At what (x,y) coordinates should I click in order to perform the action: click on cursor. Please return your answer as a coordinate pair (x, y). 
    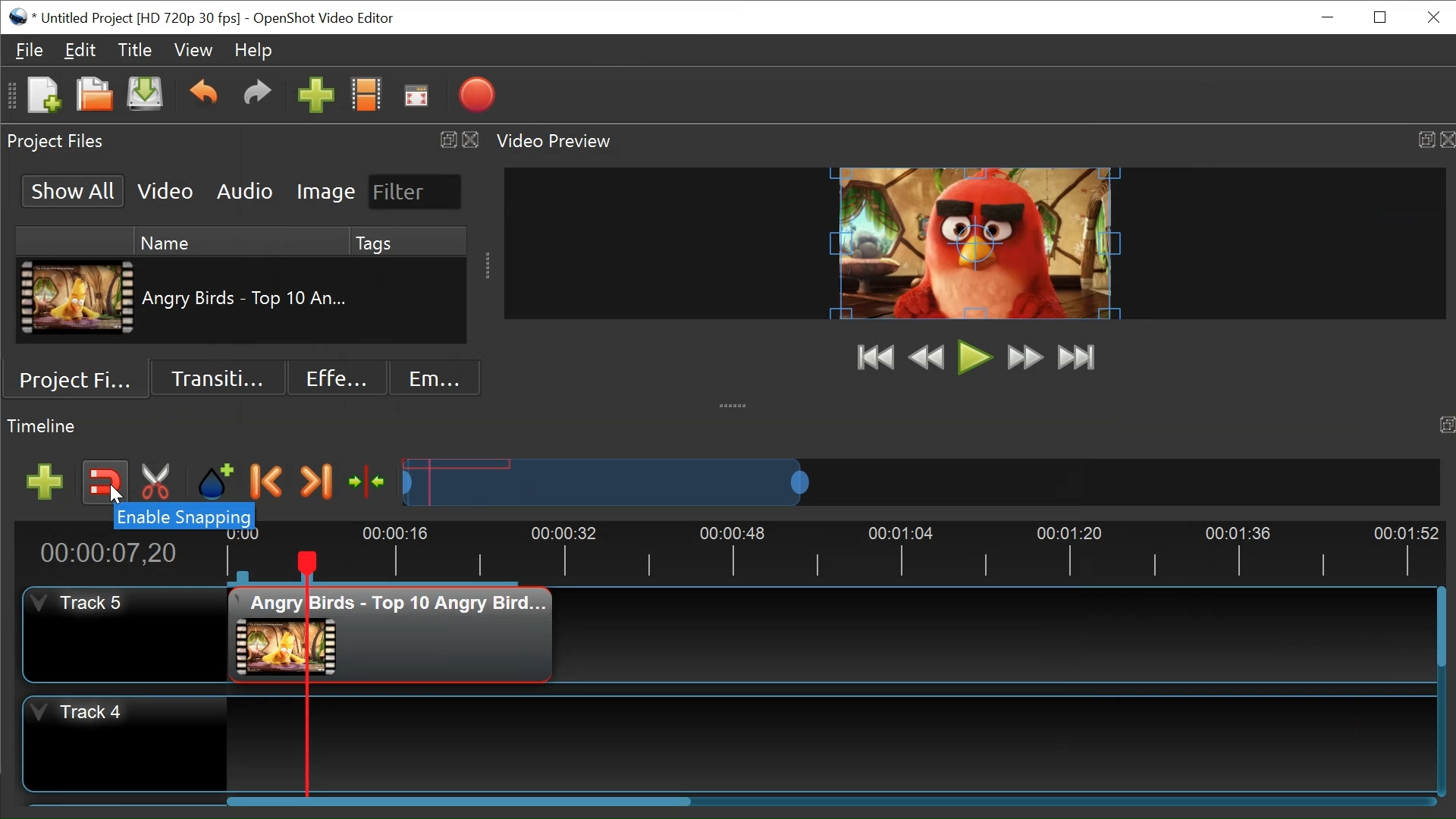
    Looking at the image, I should click on (113, 499).